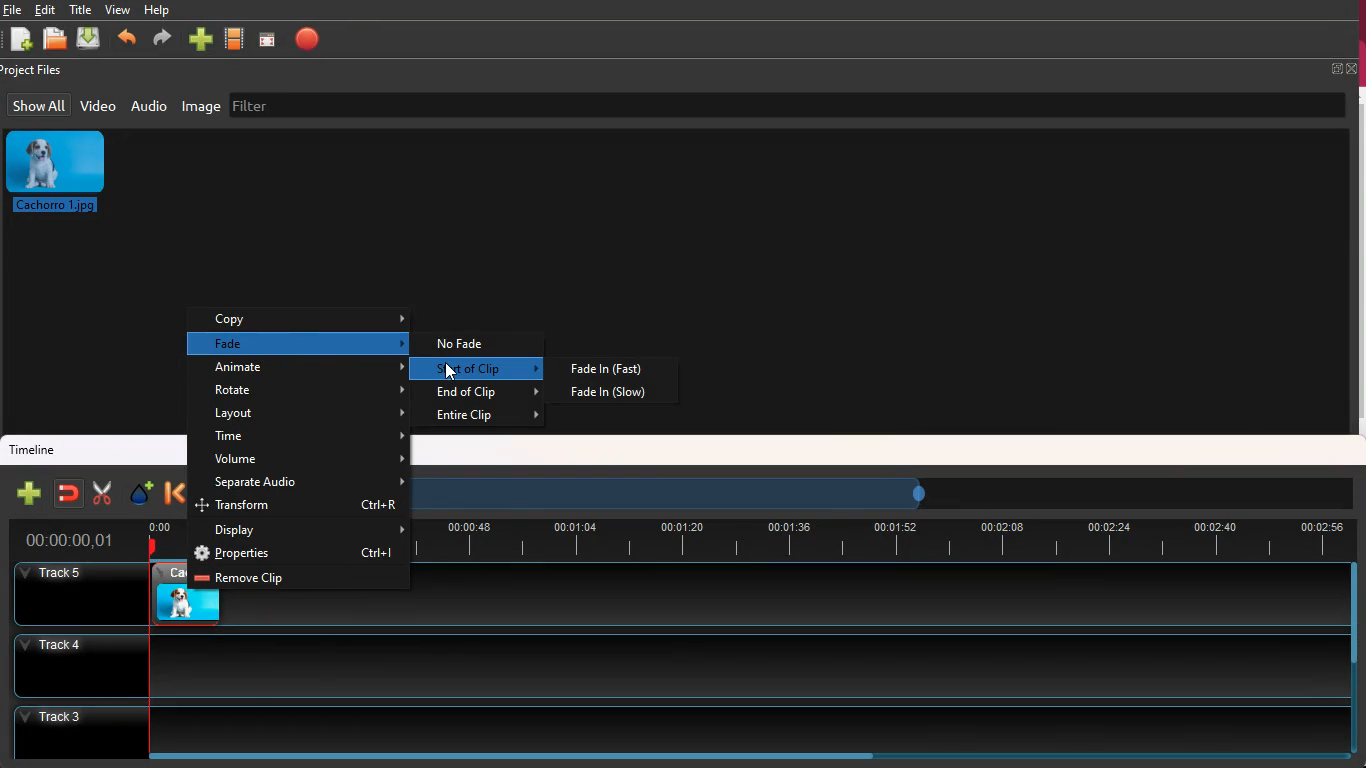 This screenshot has width=1366, height=768. What do you see at coordinates (47, 10) in the screenshot?
I see `edit` at bounding box center [47, 10].